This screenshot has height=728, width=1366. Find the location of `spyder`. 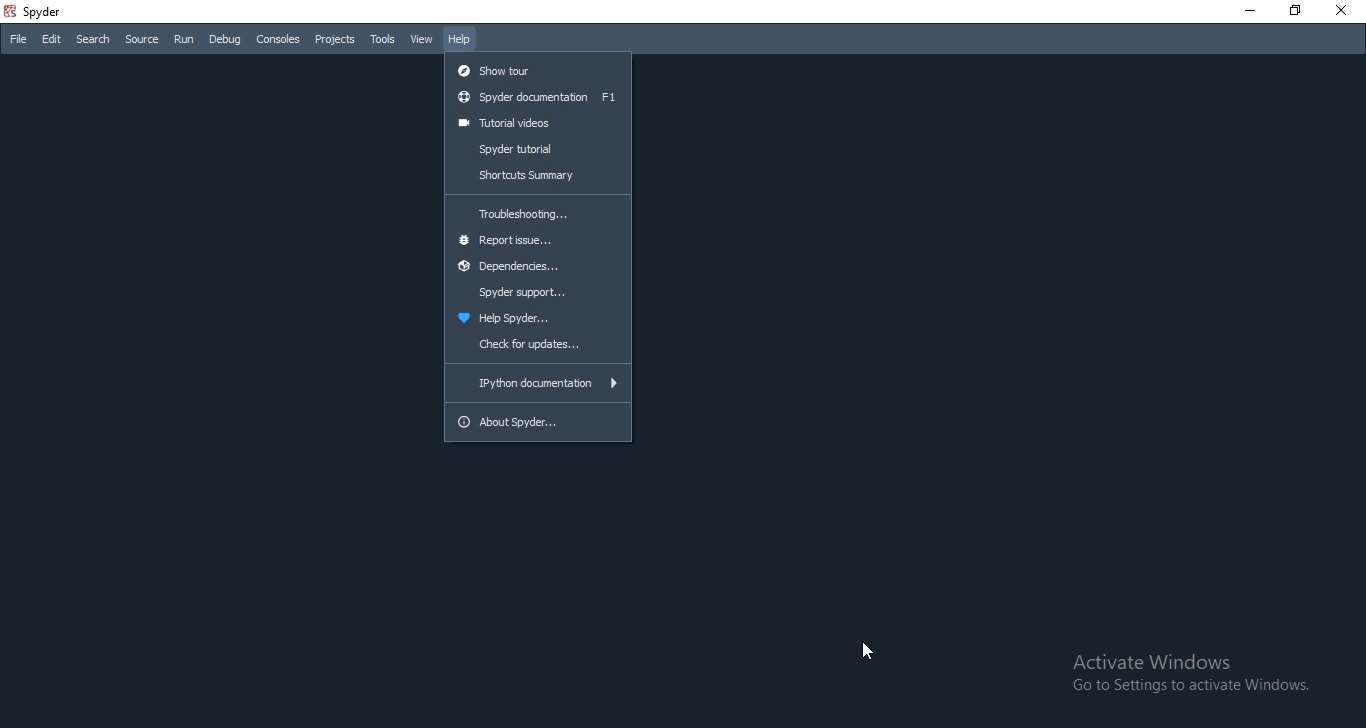

spyder is located at coordinates (41, 12).